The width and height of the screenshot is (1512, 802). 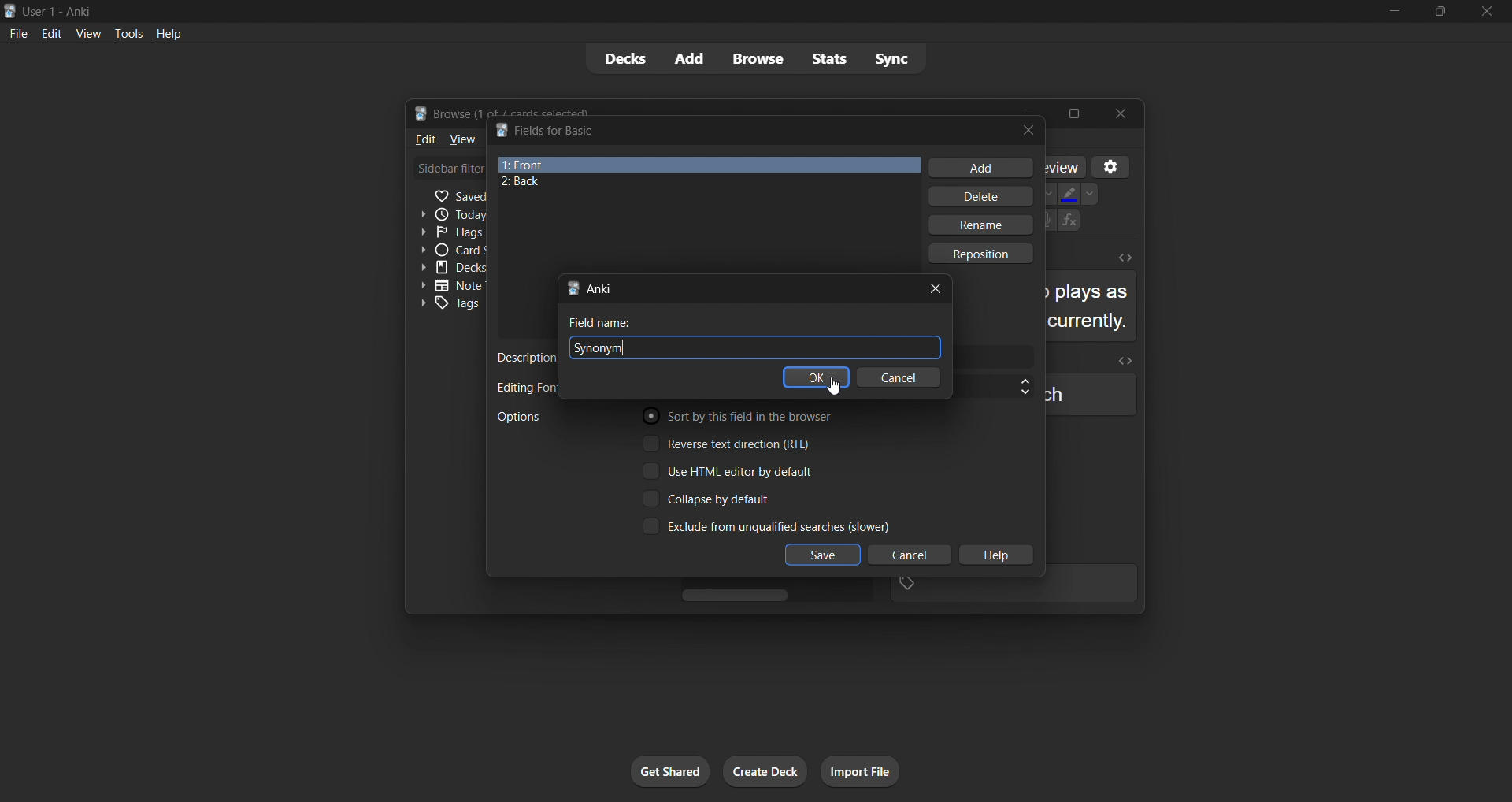 What do you see at coordinates (447, 213) in the screenshot?
I see `Today` at bounding box center [447, 213].